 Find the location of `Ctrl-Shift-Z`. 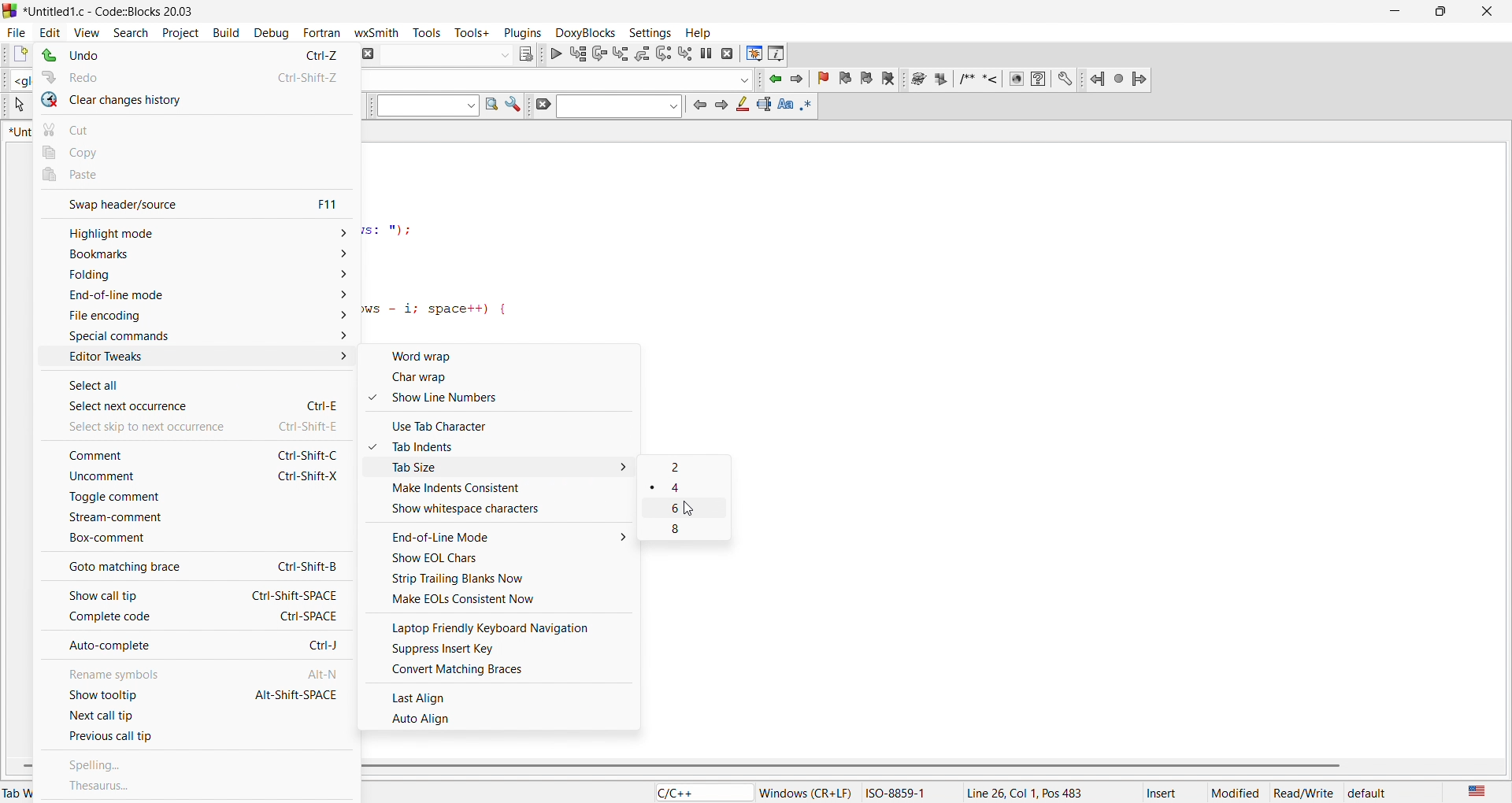

Ctrl-Shift-Z is located at coordinates (304, 77).